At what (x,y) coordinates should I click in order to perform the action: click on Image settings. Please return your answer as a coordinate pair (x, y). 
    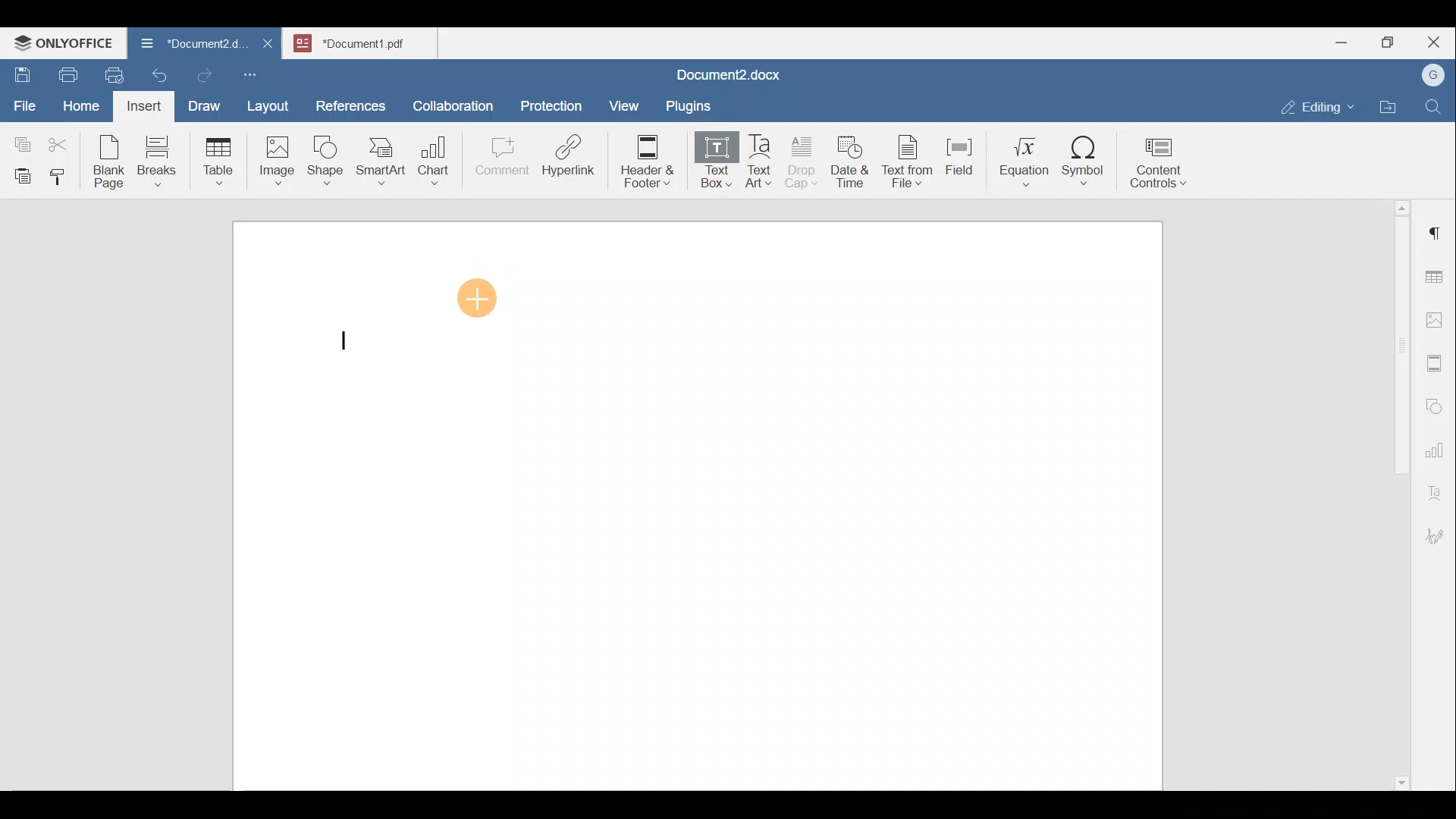
    Looking at the image, I should click on (1437, 318).